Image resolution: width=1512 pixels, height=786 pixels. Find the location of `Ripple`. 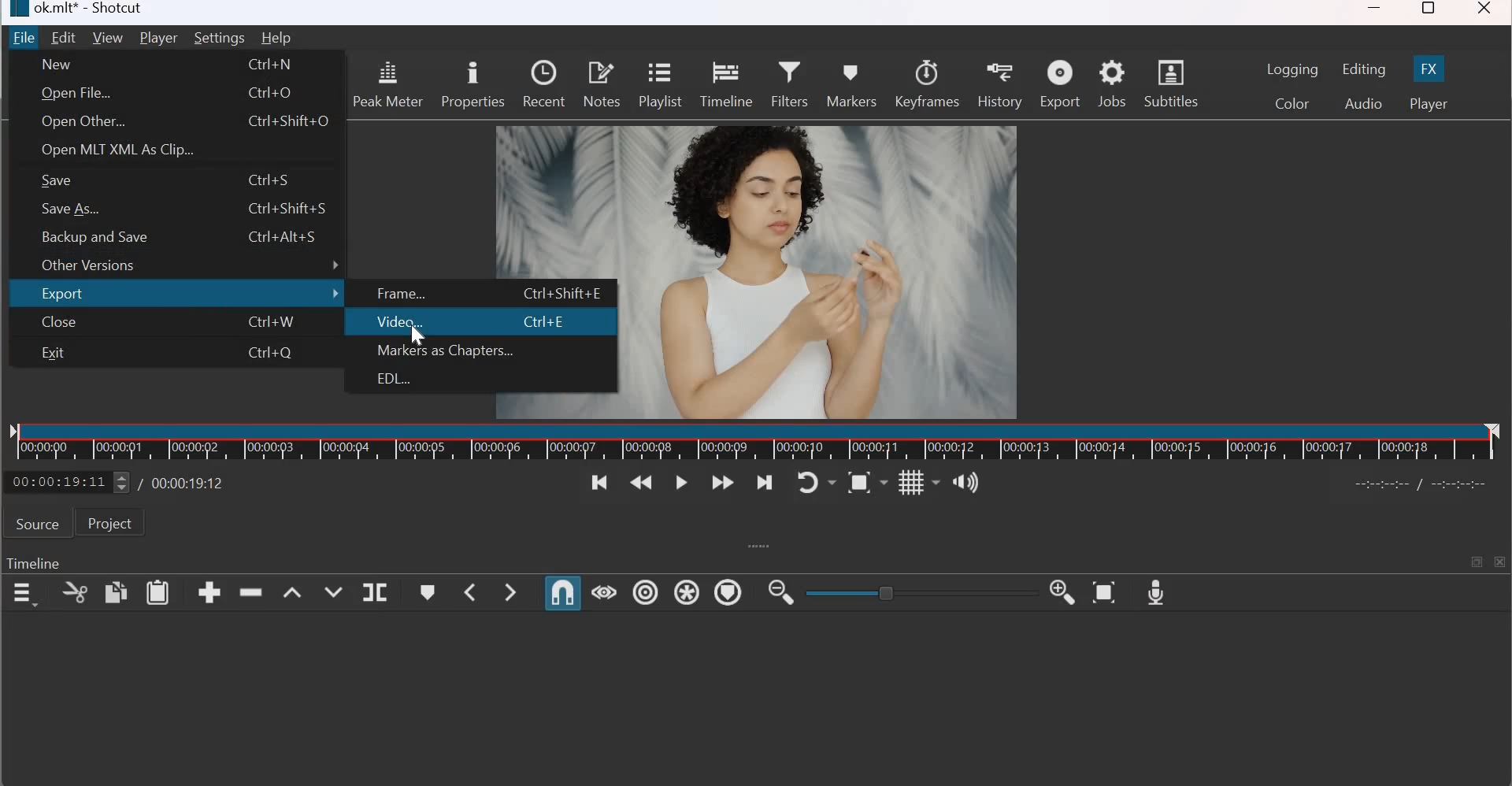

Ripple is located at coordinates (645, 592).